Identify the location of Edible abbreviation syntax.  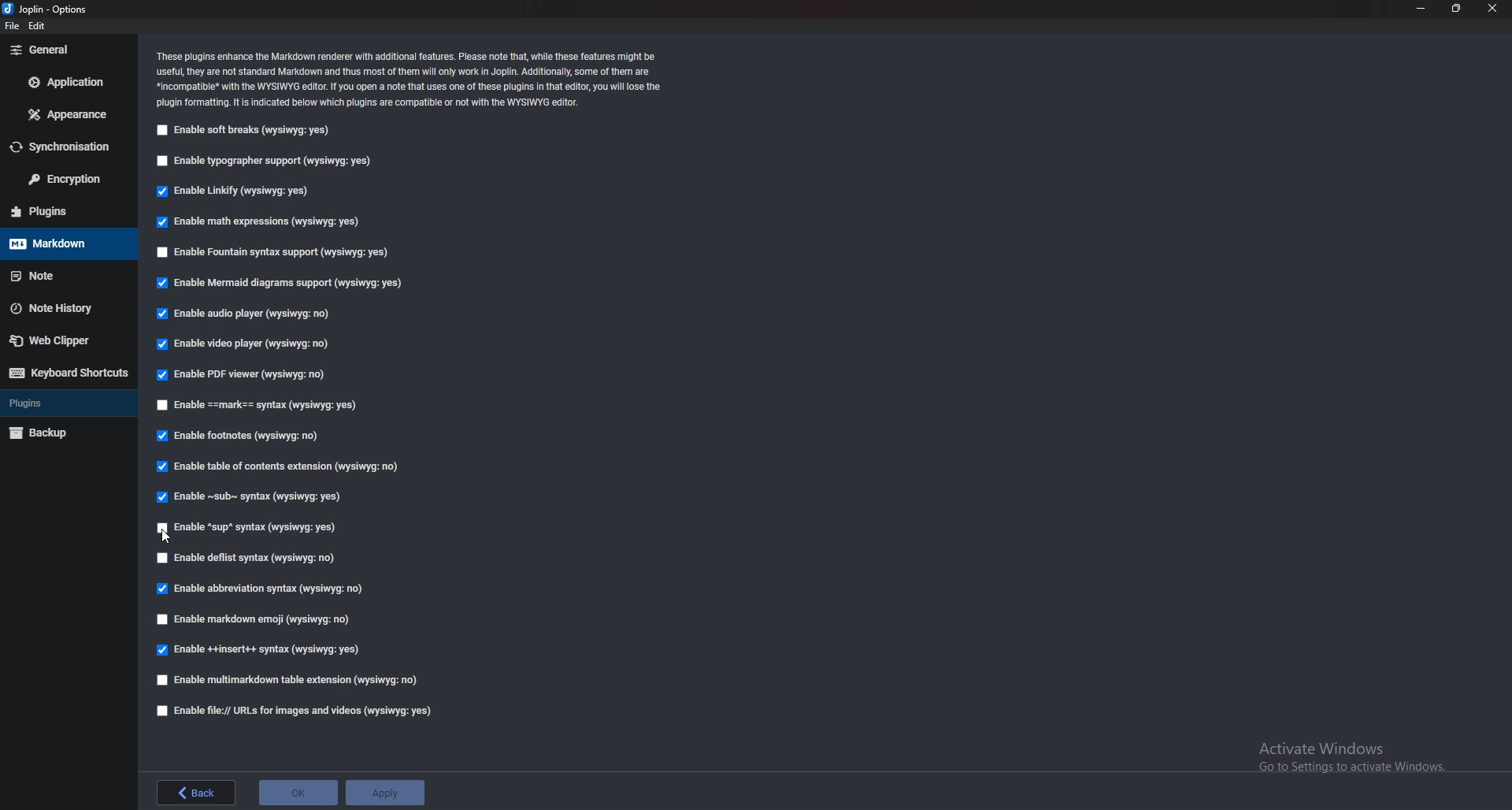
(273, 586).